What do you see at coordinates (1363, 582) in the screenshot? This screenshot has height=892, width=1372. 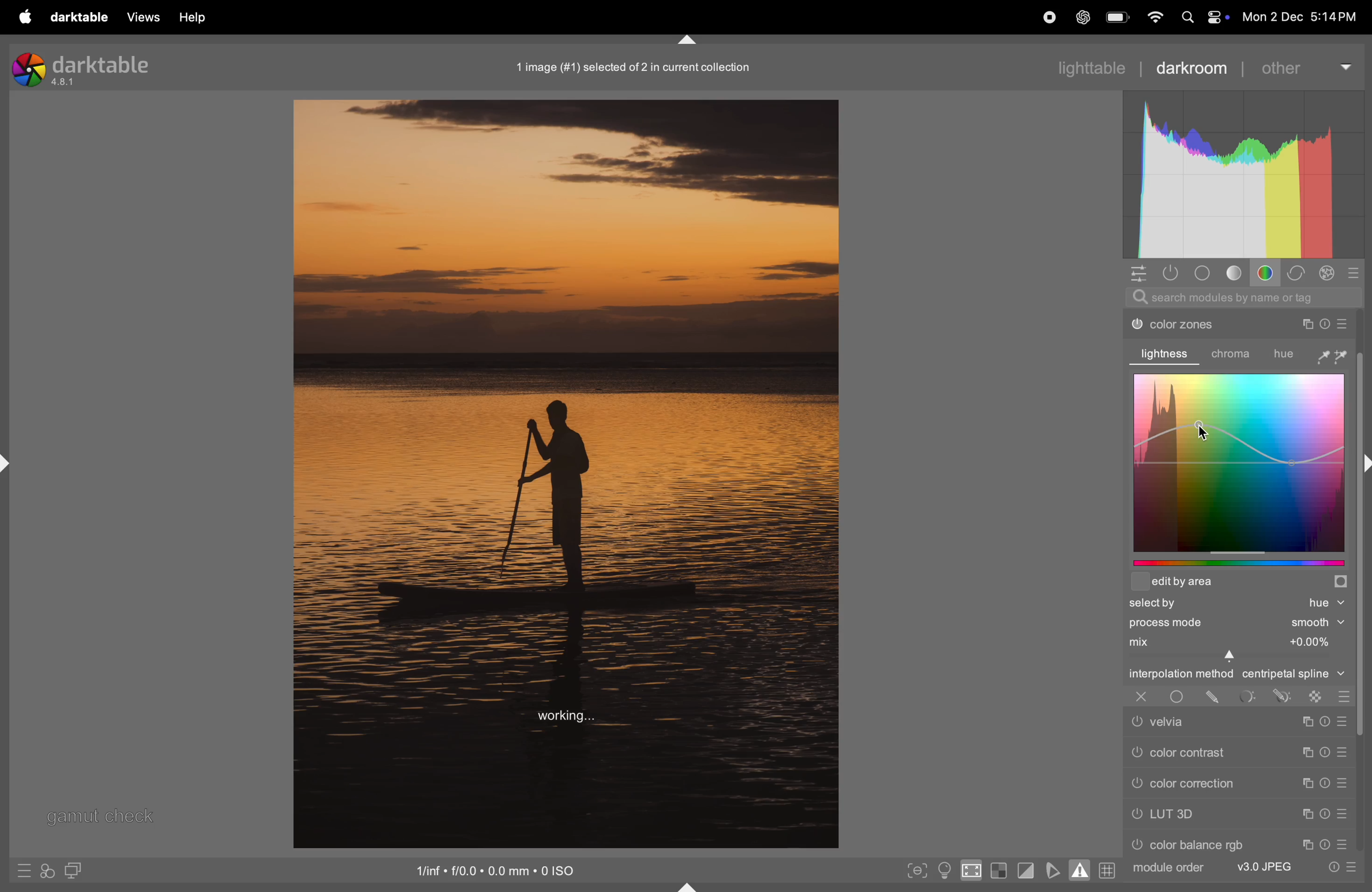 I see `` at bounding box center [1363, 582].